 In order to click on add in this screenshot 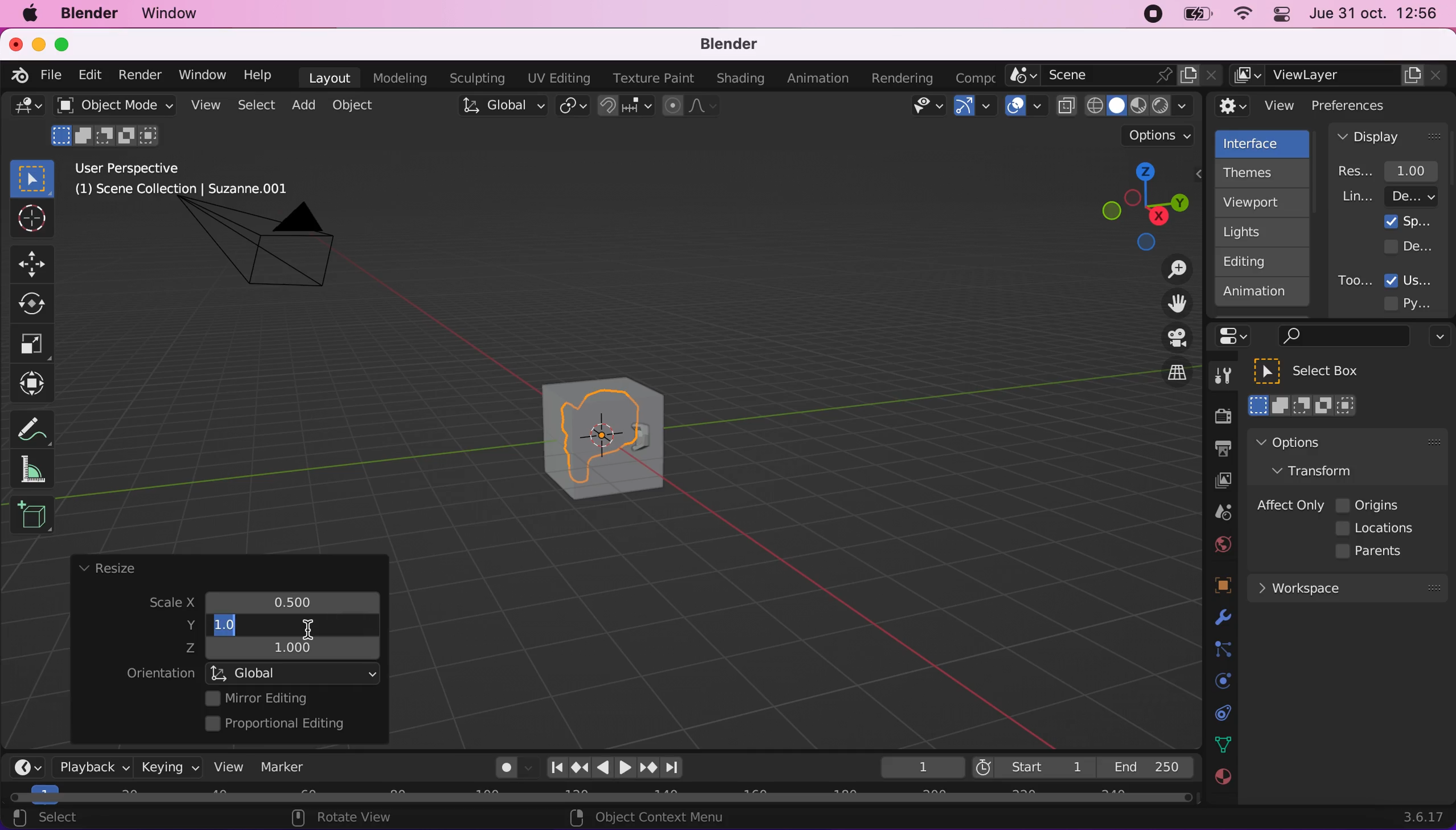, I will do `click(301, 105)`.